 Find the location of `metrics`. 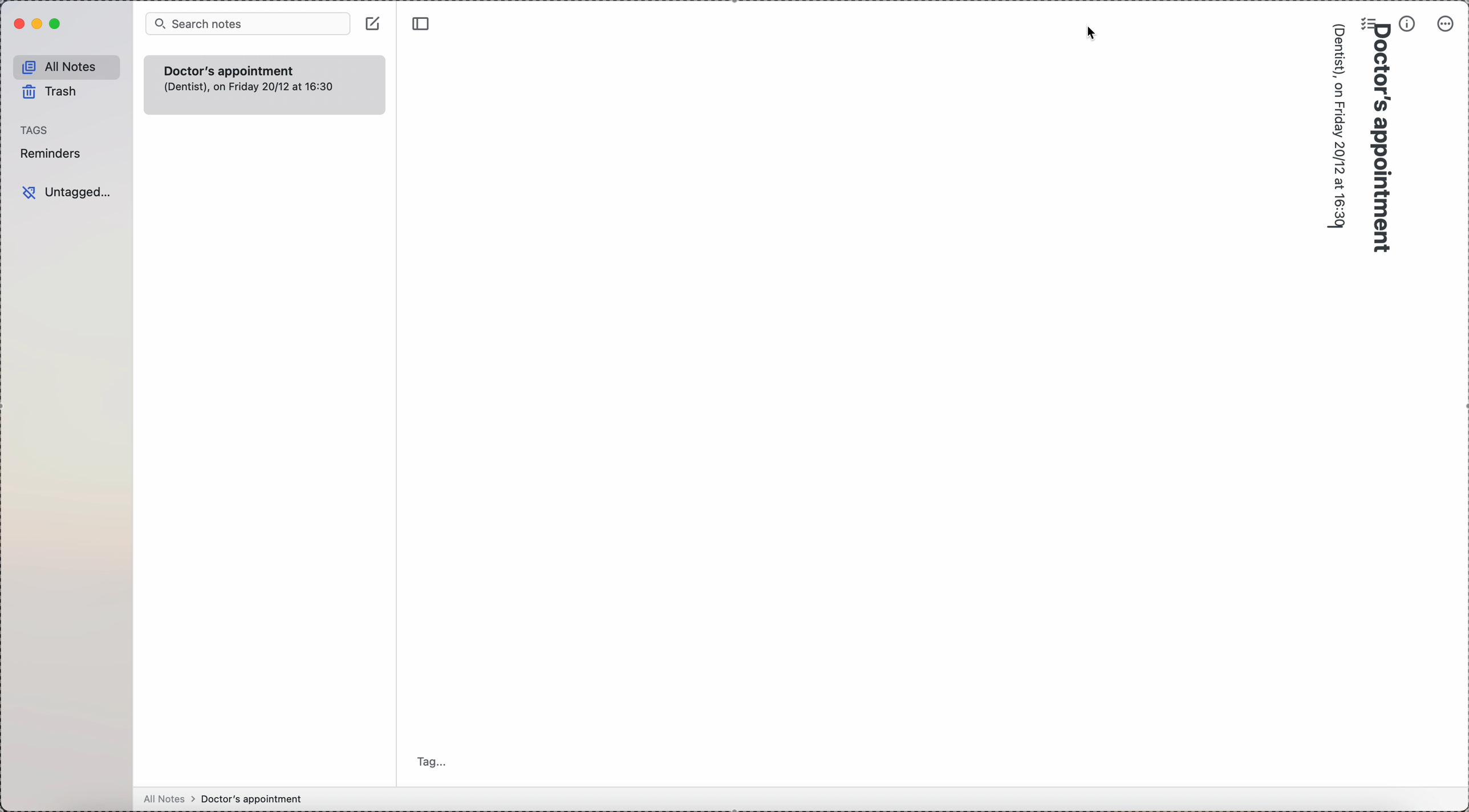

metrics is located at coordinates (1407, 24).